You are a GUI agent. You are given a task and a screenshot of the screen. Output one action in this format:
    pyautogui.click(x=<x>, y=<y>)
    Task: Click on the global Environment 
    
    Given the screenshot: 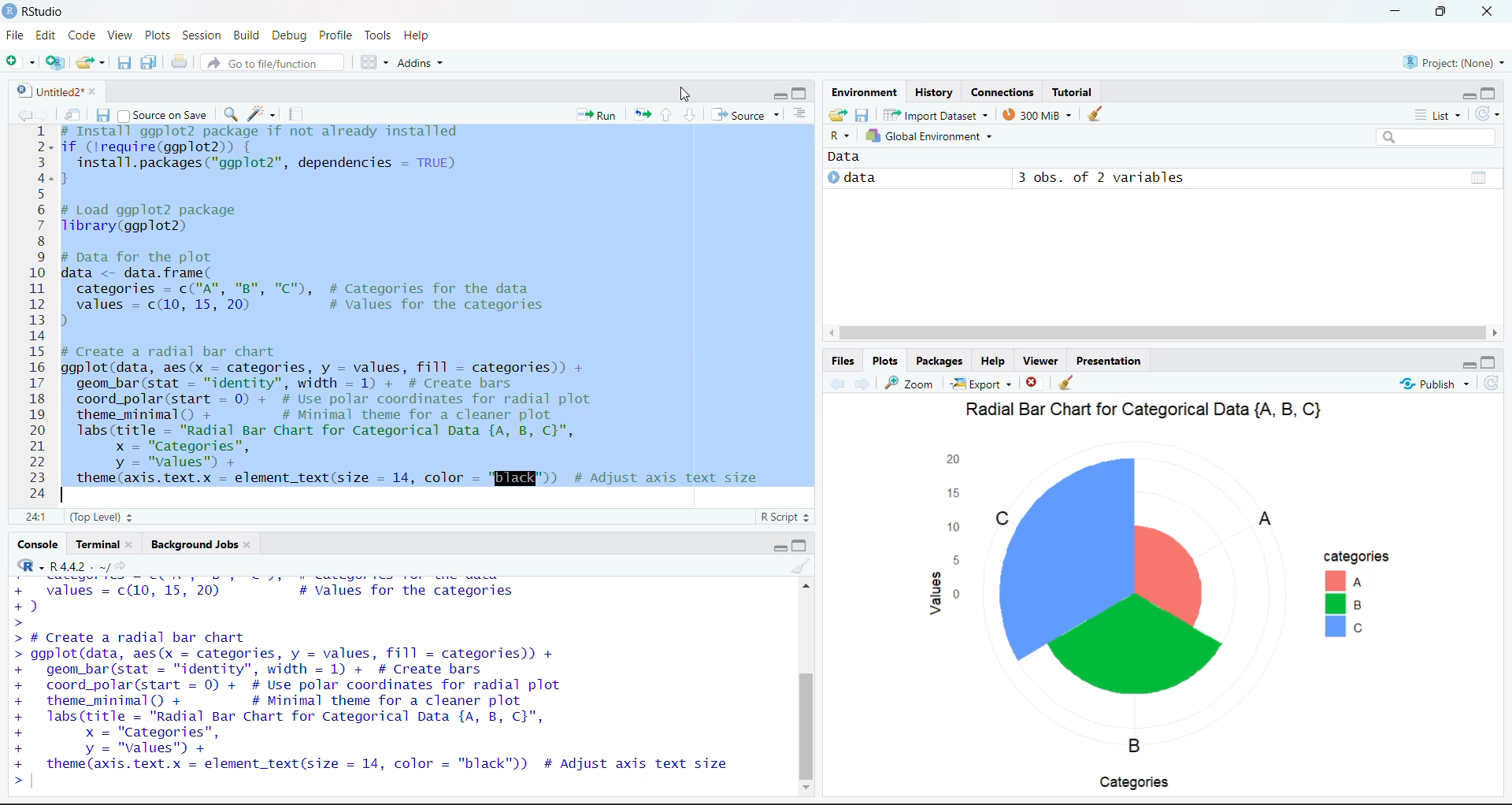 What is the action you would take?
    pyautogui.click(x=932, y=135)
    